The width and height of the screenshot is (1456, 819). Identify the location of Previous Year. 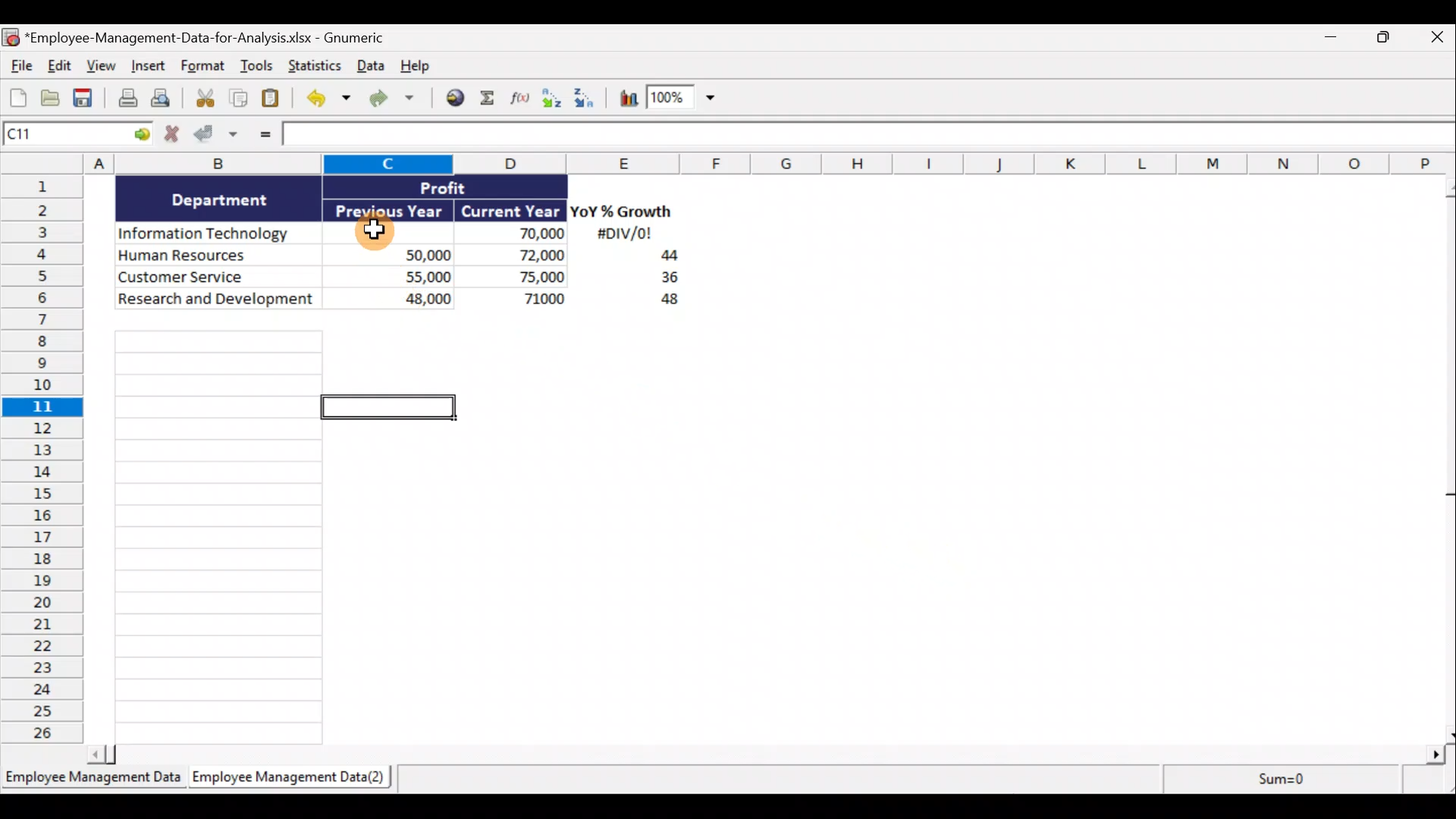
(390, 208).